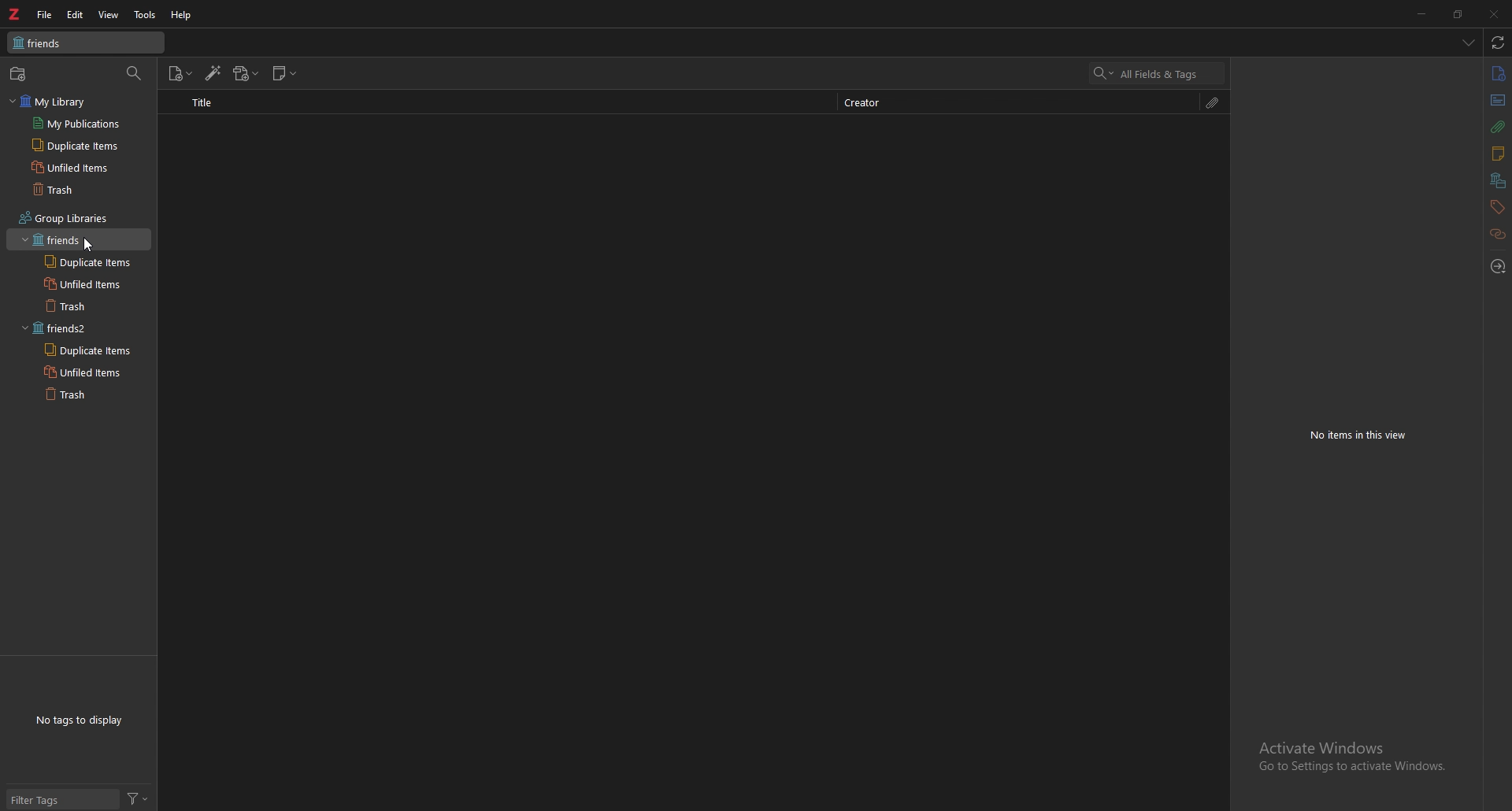  Describe the element at coordinates (82, 720) in the screenshot. I see `No tags to display` at that location.